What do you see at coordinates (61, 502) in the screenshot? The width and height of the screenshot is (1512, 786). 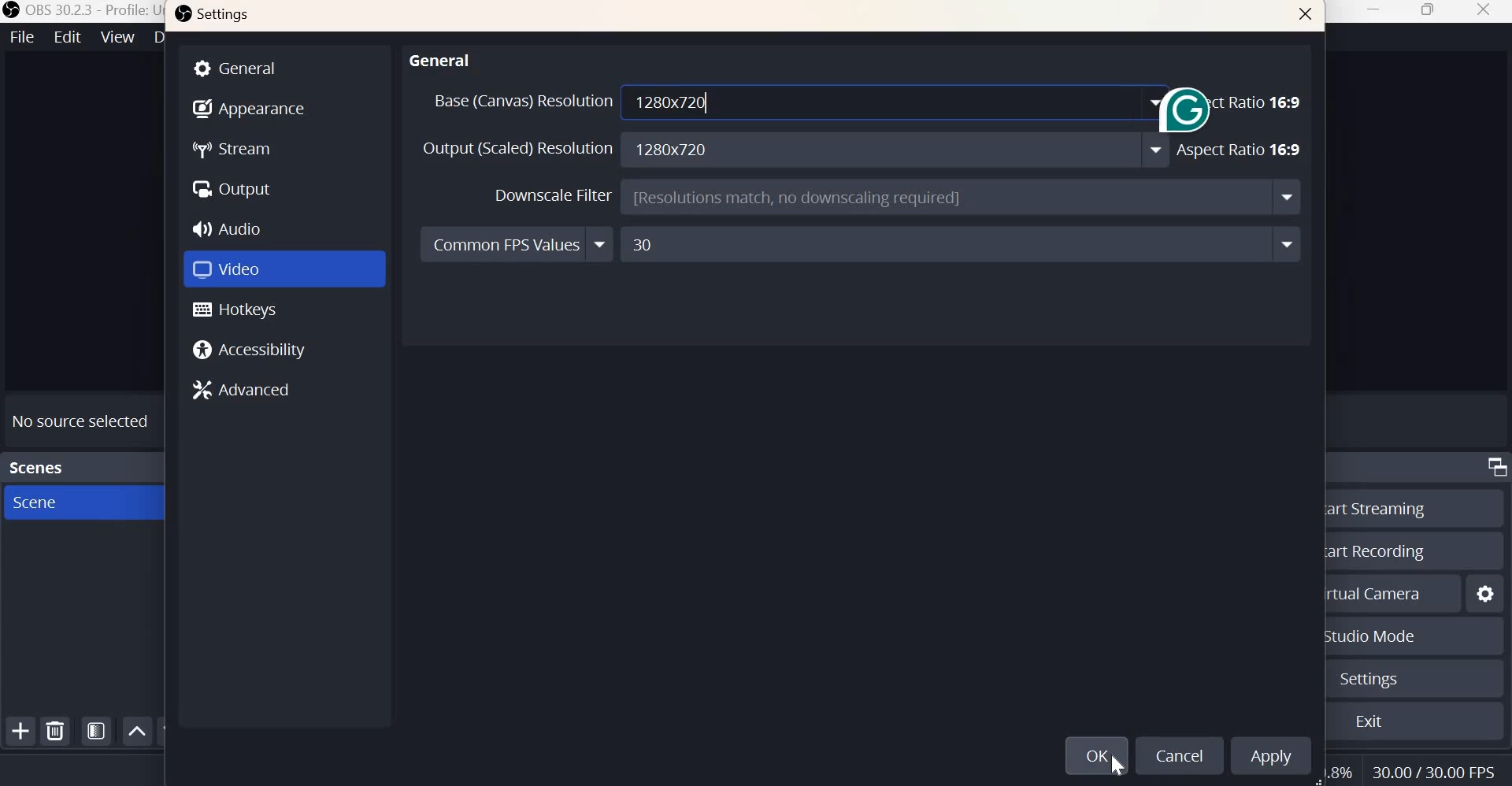 I see `Scene` at bounding box center [61, 502].